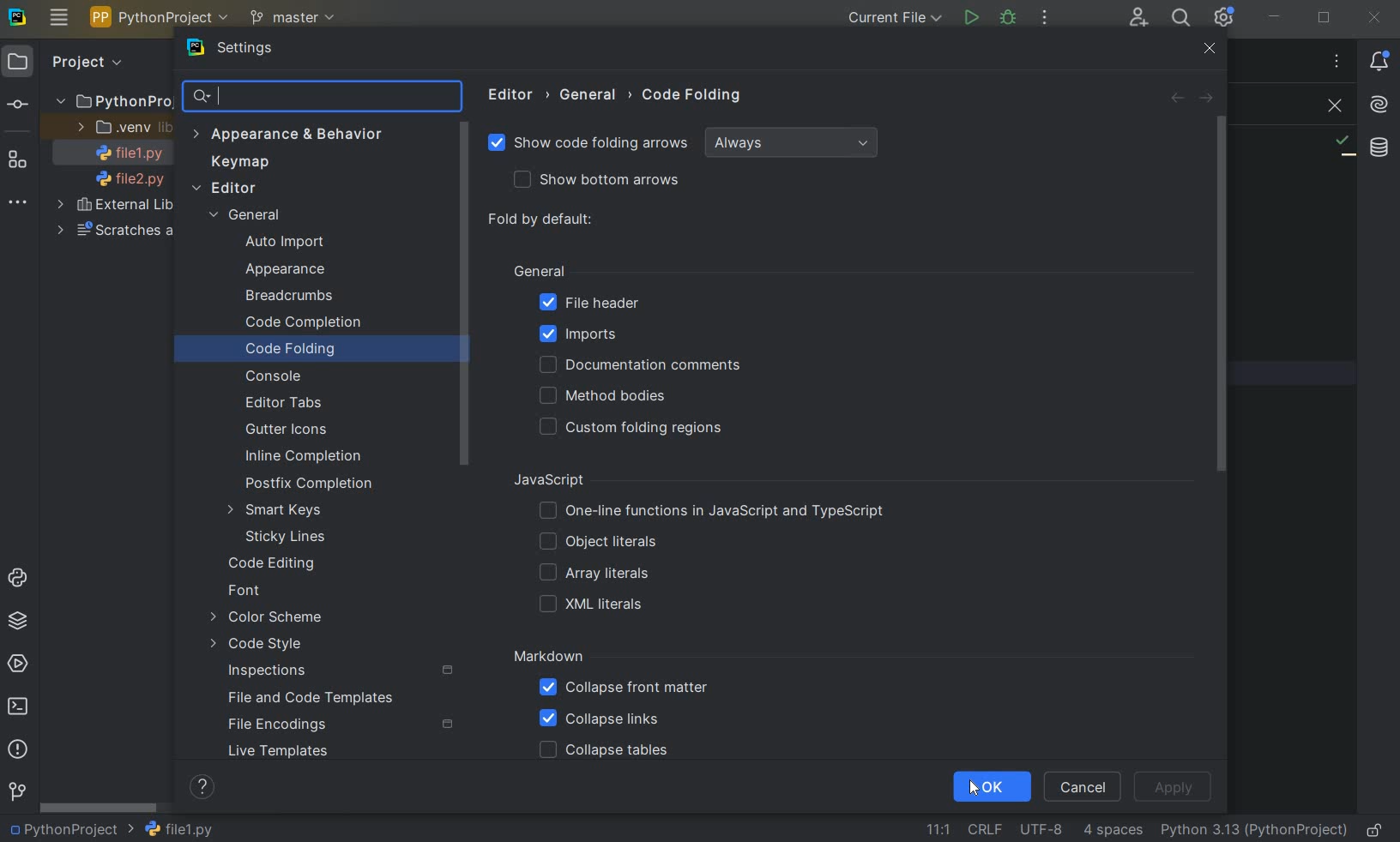  I want to click on SHOW CODE FOLDING ARROWS Selected, so click(590, 145).